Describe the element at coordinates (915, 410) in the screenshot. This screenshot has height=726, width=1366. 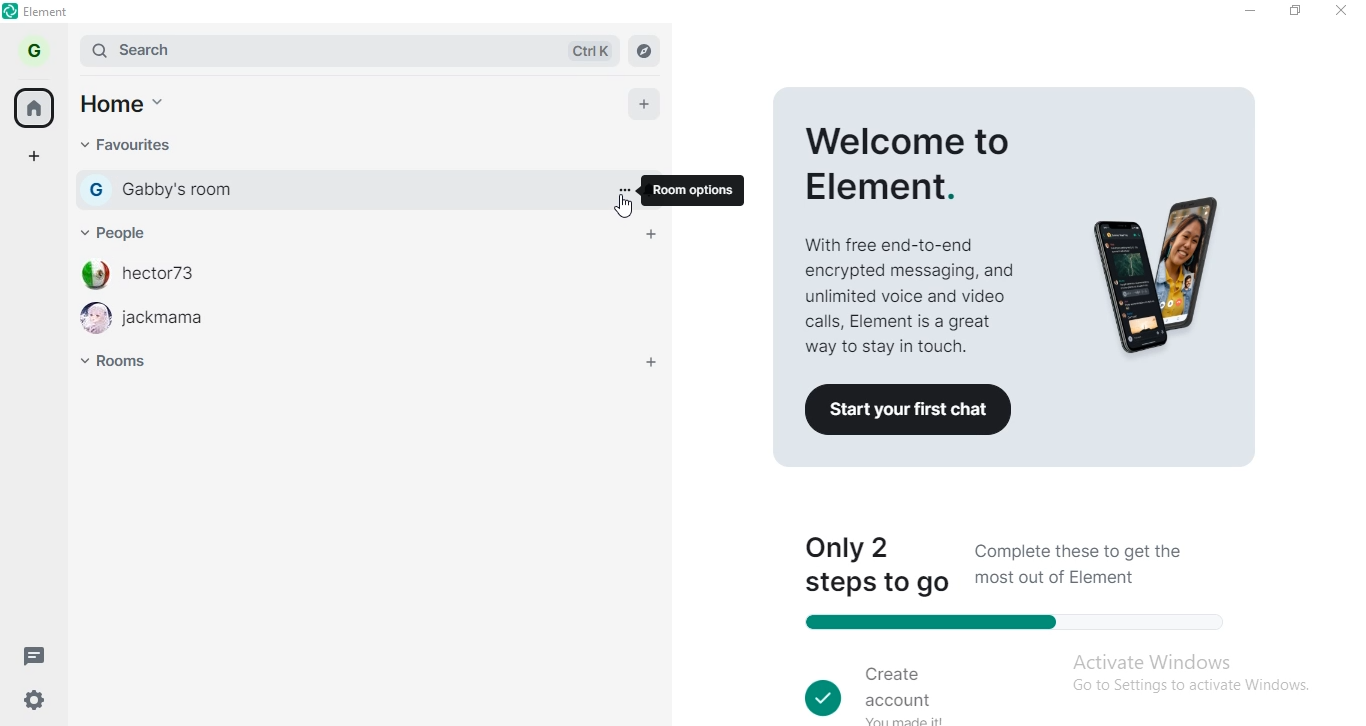
I see `Co Start your first chat ` at that location.